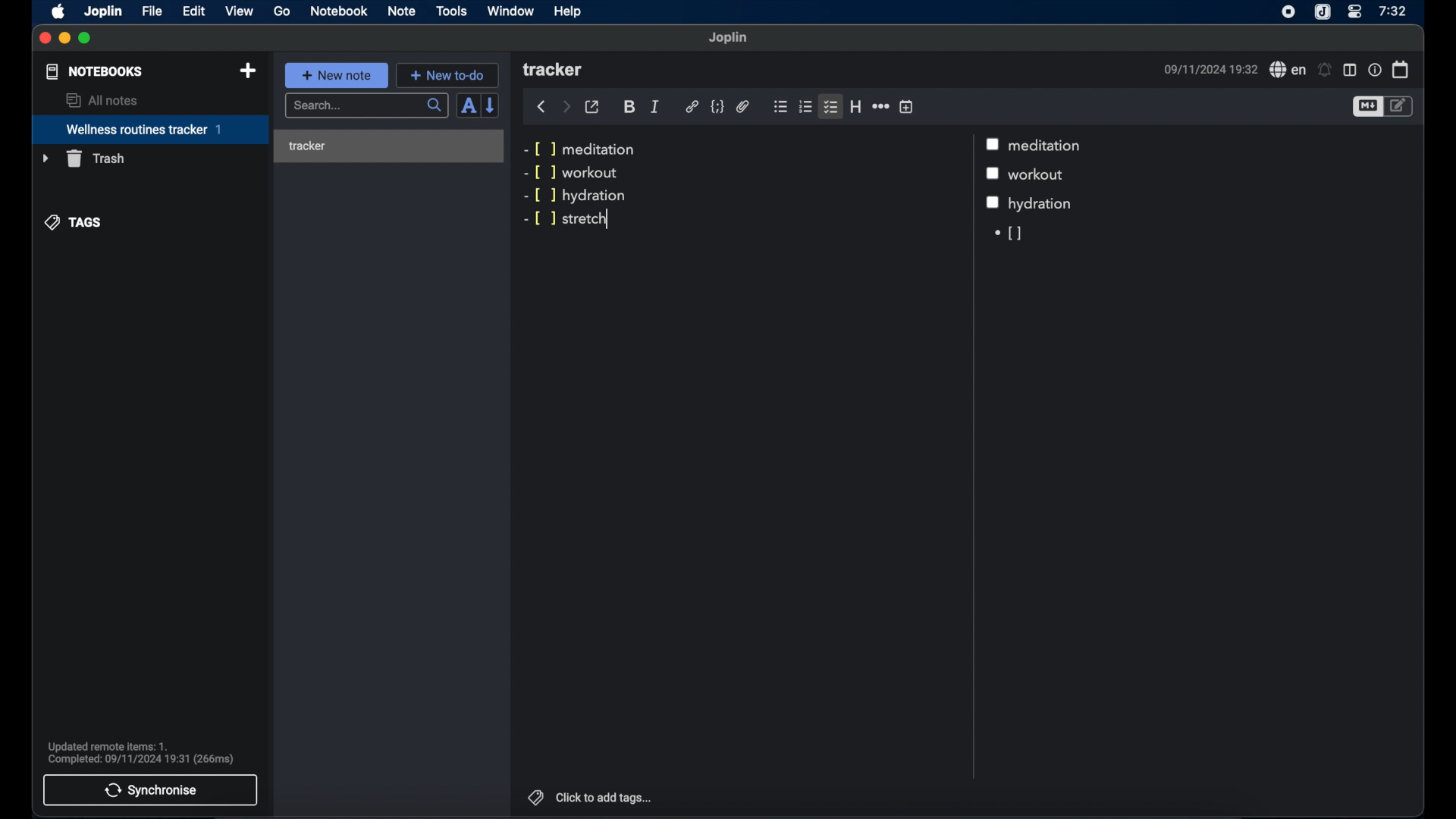  I want to click on notebooks, so click(95, 71).